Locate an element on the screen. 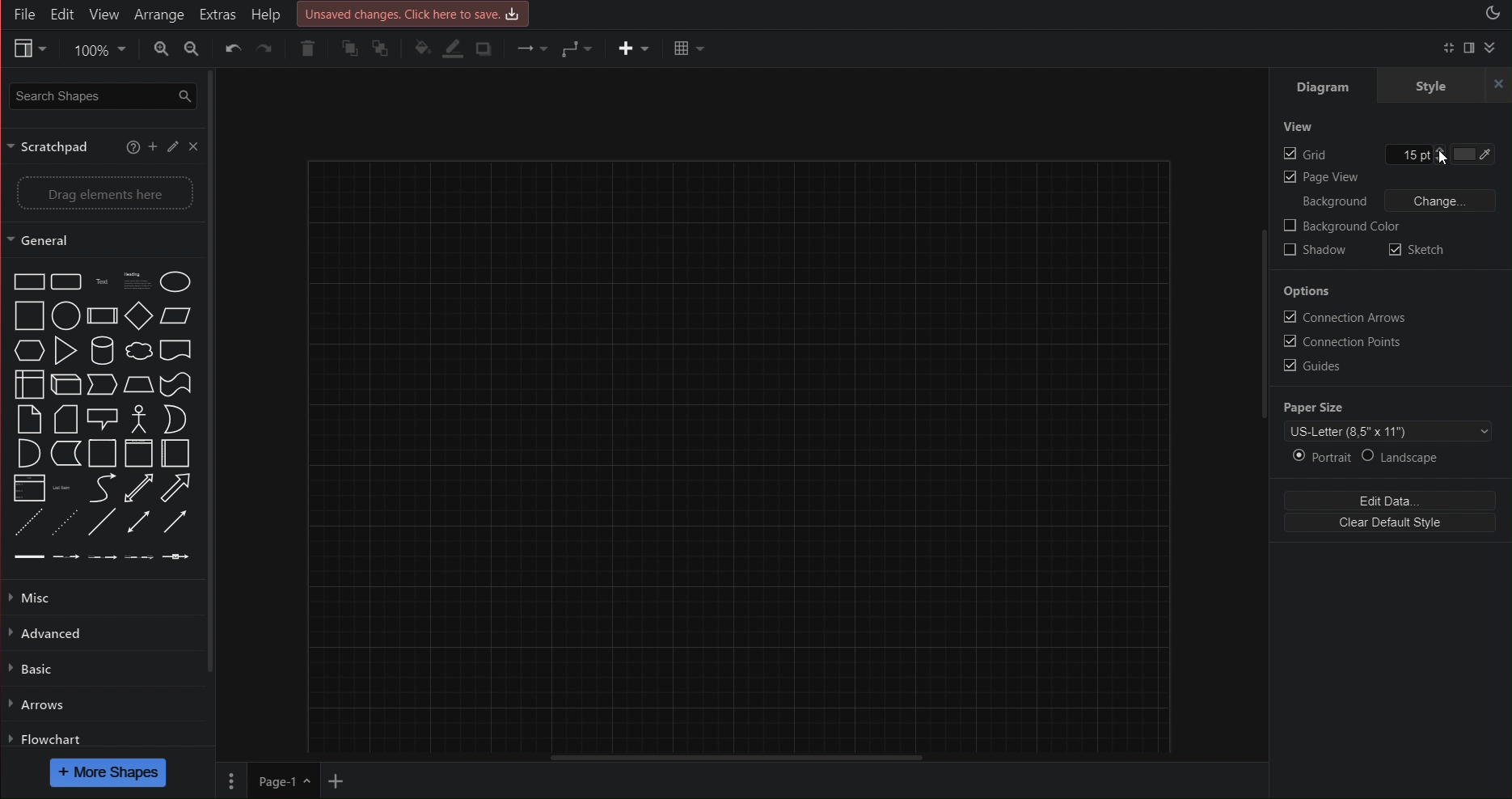 Image resolution: width=1512 pixels, height=799 pixels. box is located at coordinates (24, 277).